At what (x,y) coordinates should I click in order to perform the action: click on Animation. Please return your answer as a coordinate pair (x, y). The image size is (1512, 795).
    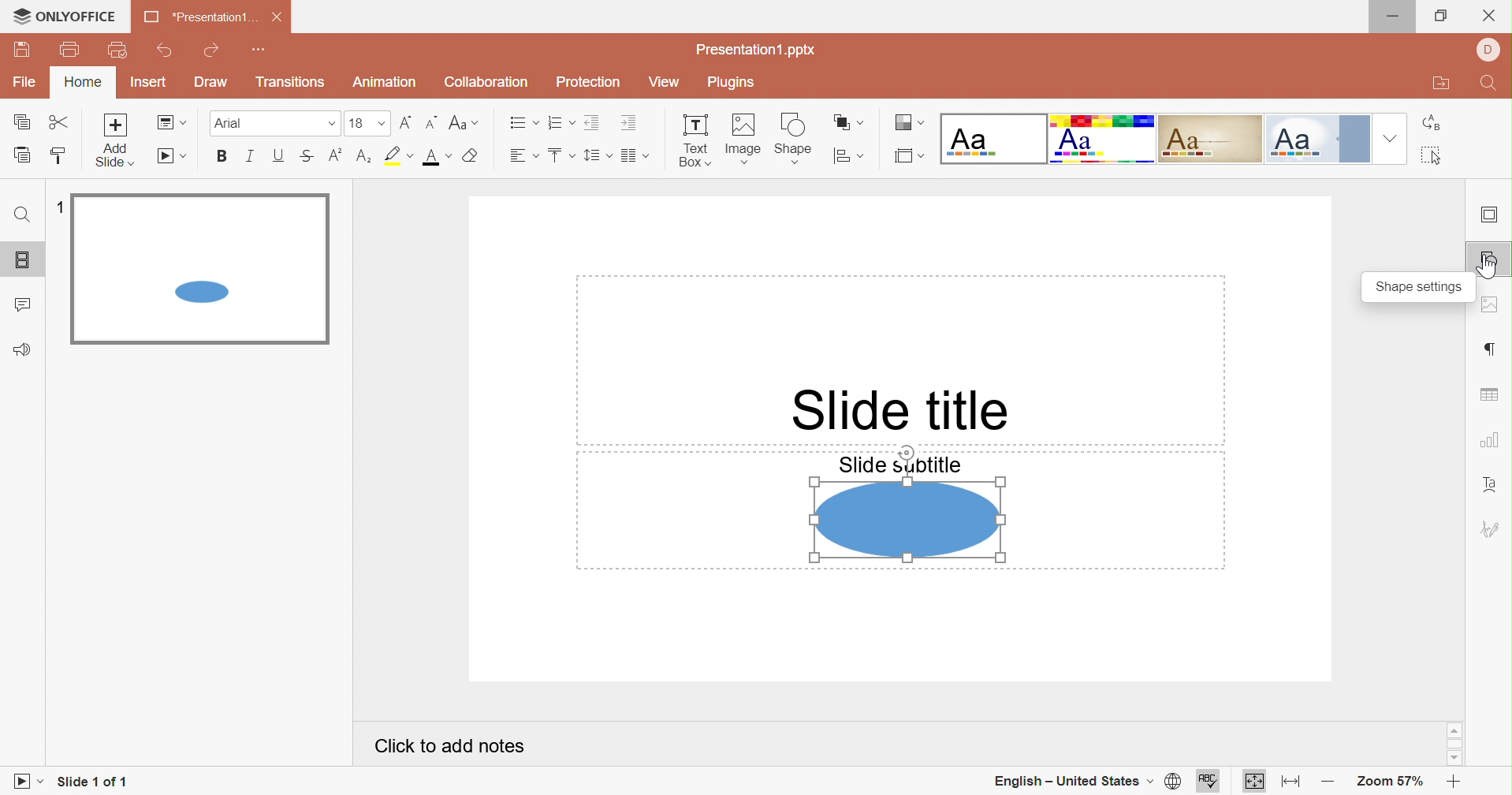
    Looking at the image, I should click on (386, 82).